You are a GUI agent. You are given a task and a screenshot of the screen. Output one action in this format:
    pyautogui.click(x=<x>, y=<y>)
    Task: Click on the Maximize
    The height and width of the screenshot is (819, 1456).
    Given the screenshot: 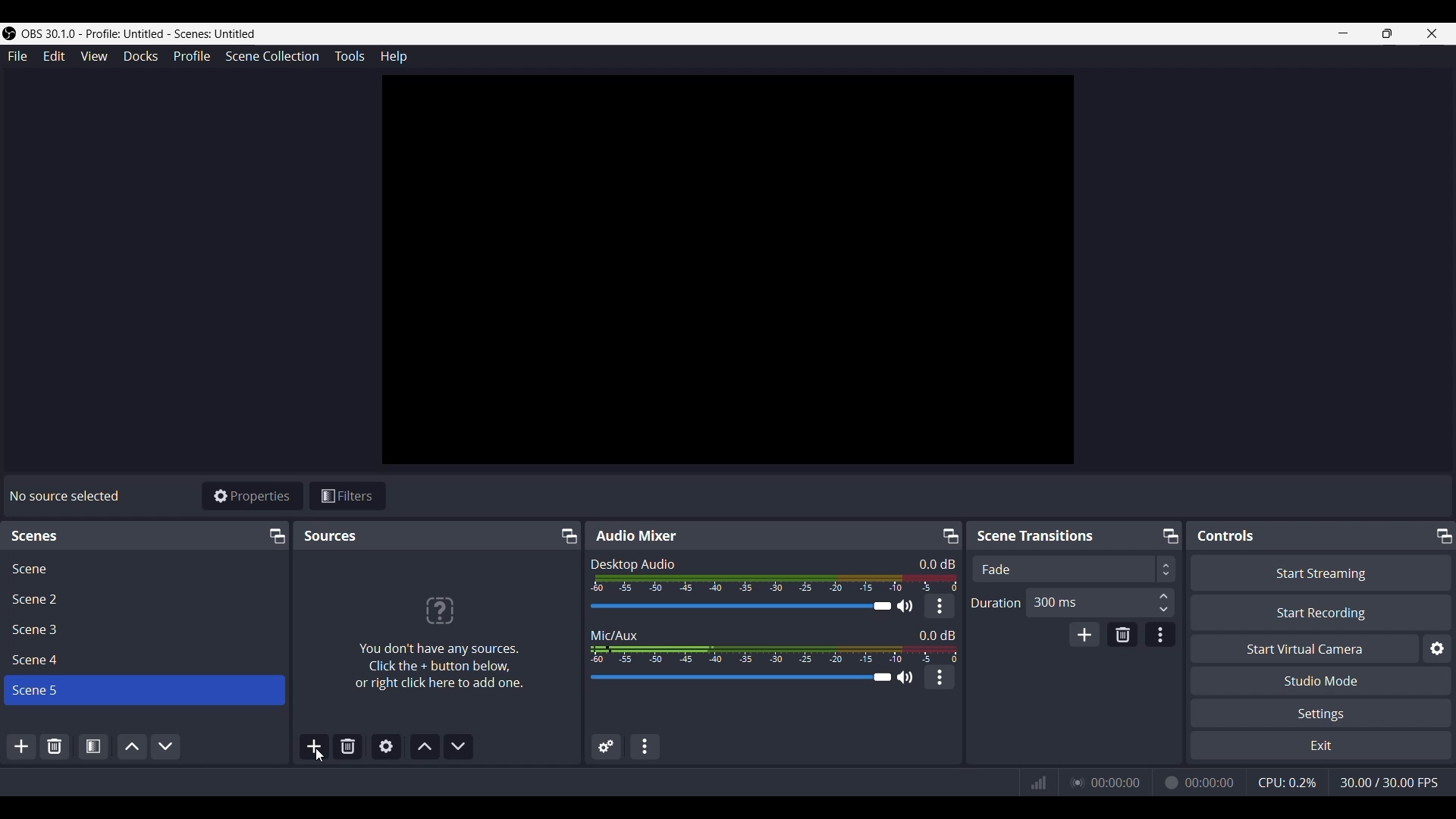 What is the action you would take?
    pyautogui.click(x=275, y=535)
    